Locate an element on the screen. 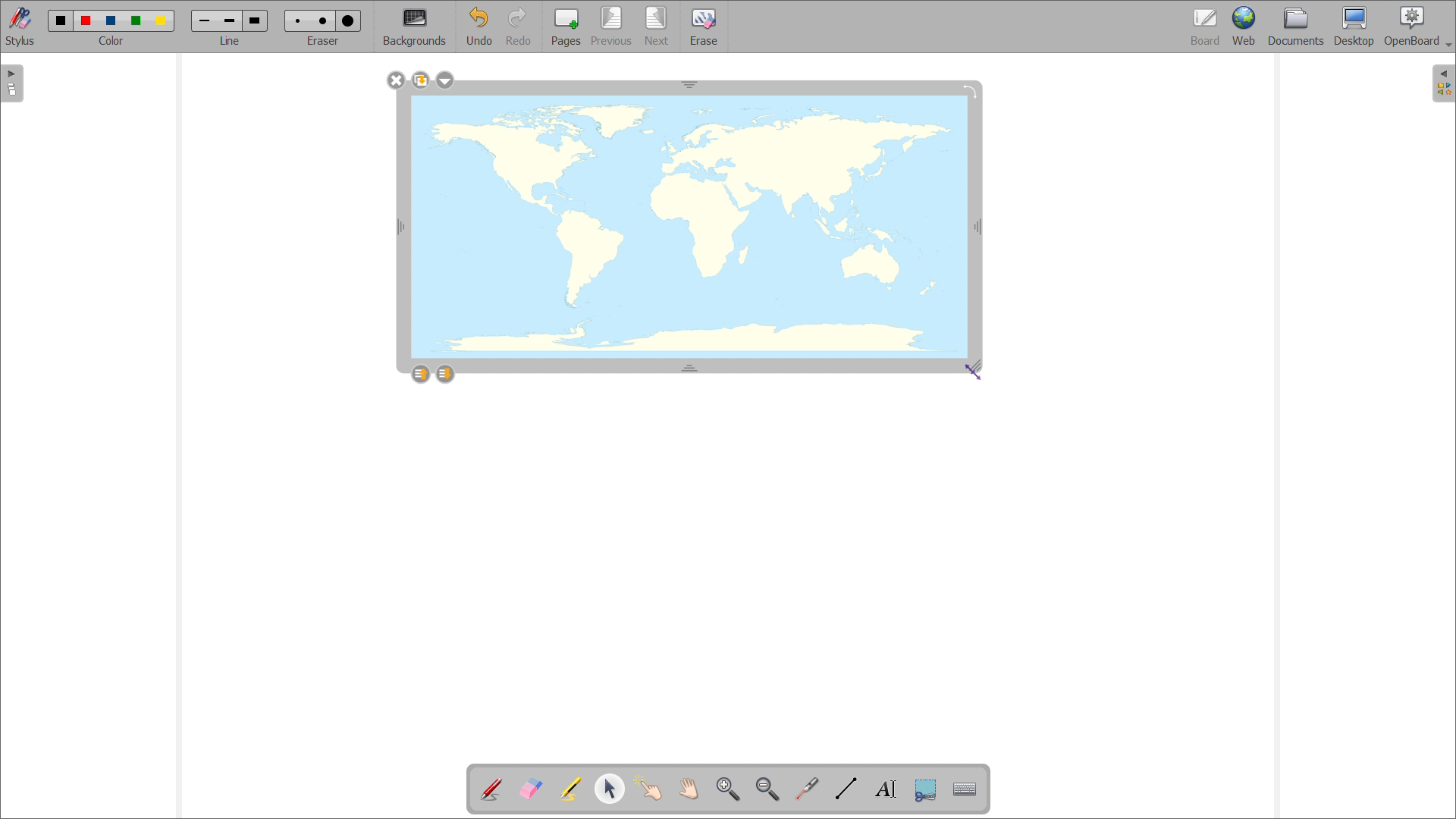 The height and width of the screenshot is (819, 1456). medium is located at coordinates (229, 22).